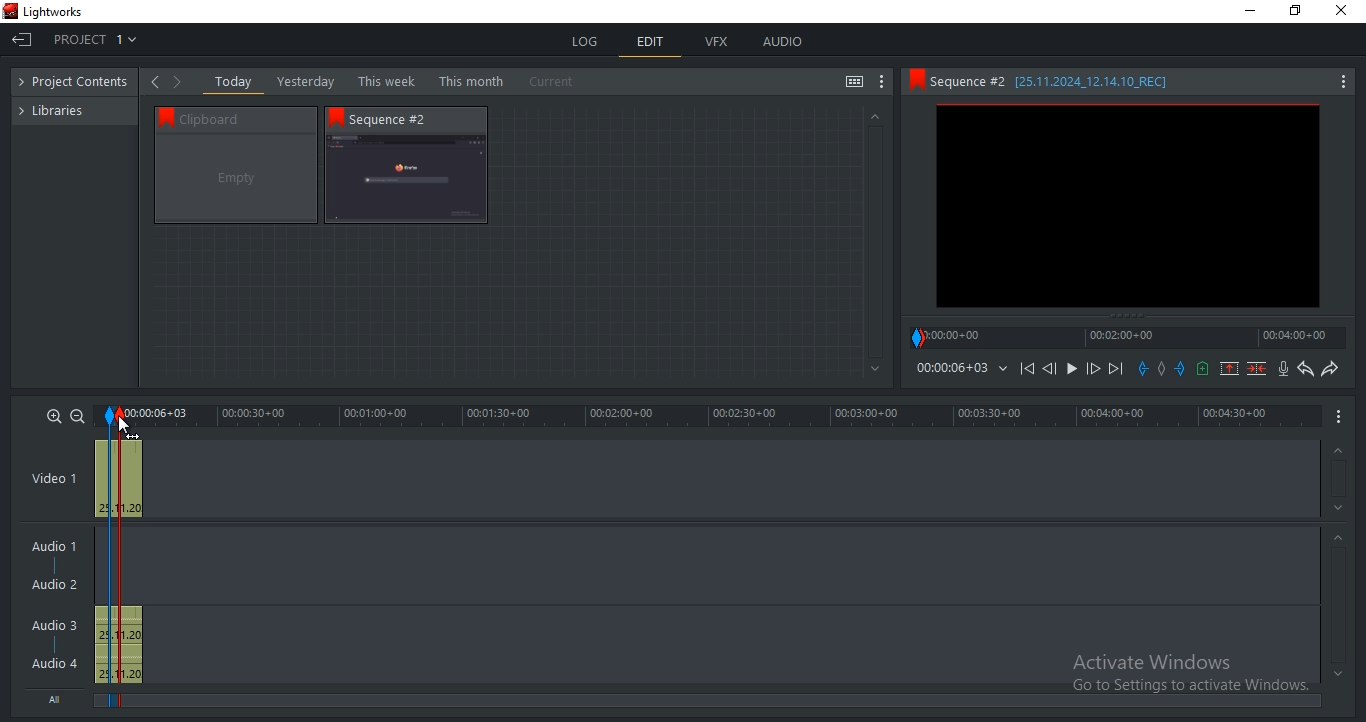 The height and width of the screenshot is (722, 1366). I want to click on audio, so click(782, 41).